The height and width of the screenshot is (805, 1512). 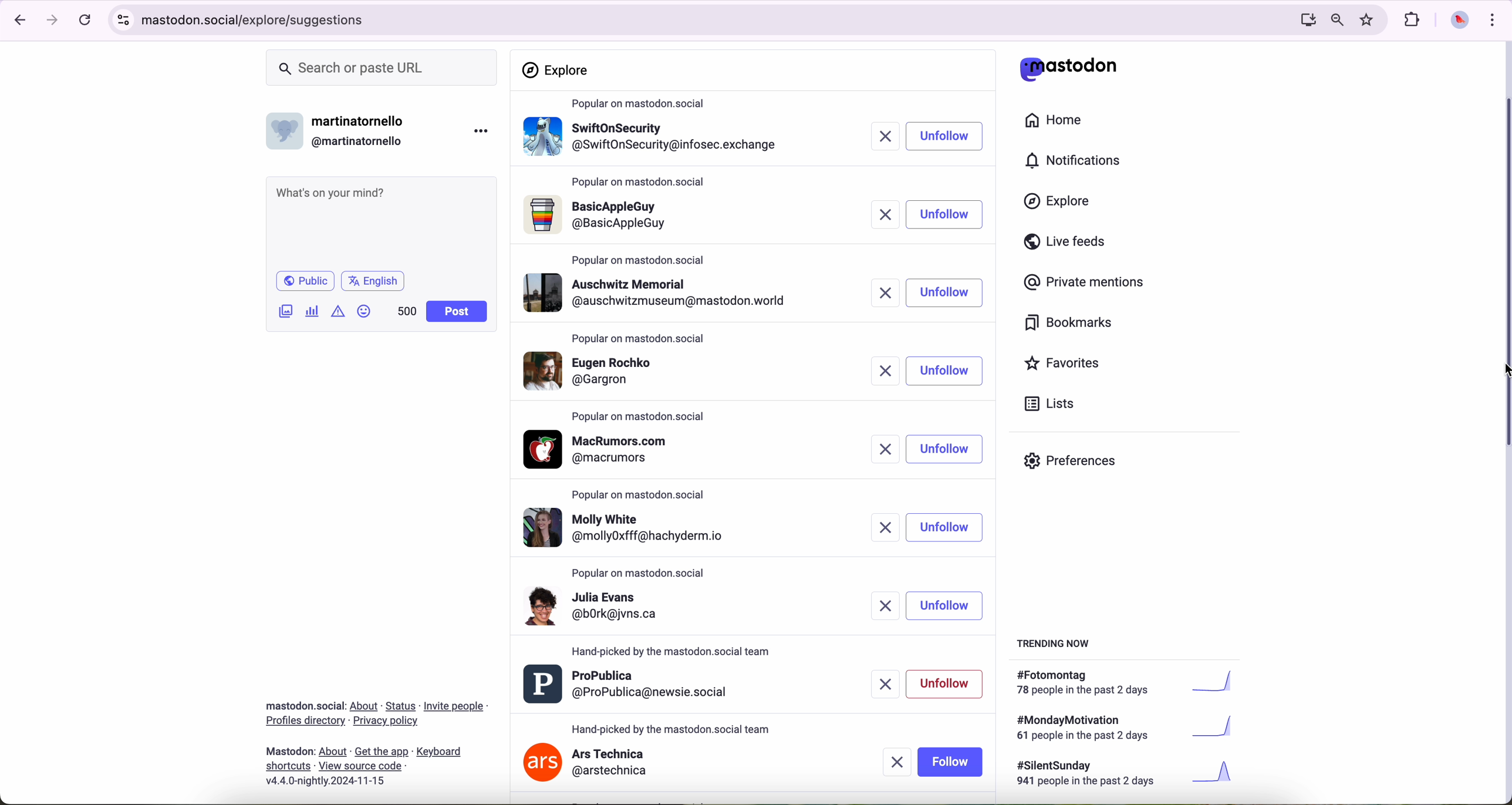 What do you see at coordinates (382, 68) in the screenshot?
I see `search or paste URL` at bounding box center [382, 68].